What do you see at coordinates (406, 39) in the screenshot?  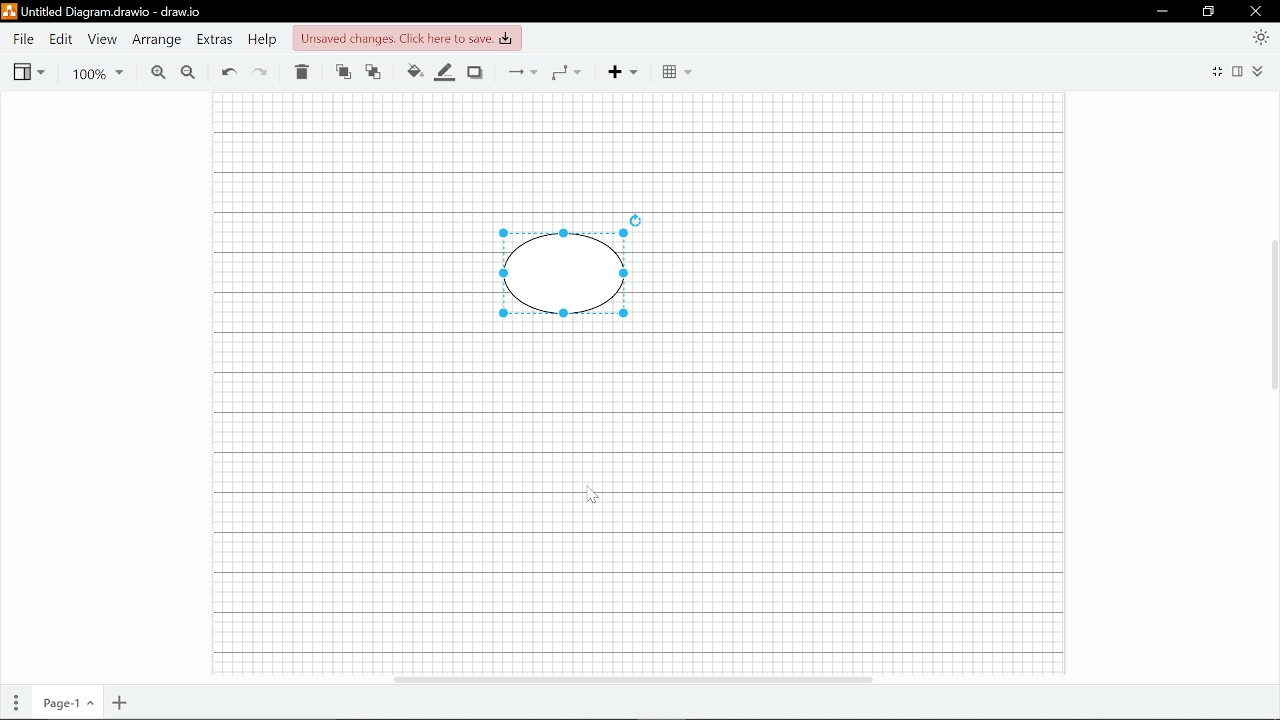 I see `Unsaved images, click here to save` at bounding box center [406, 39].